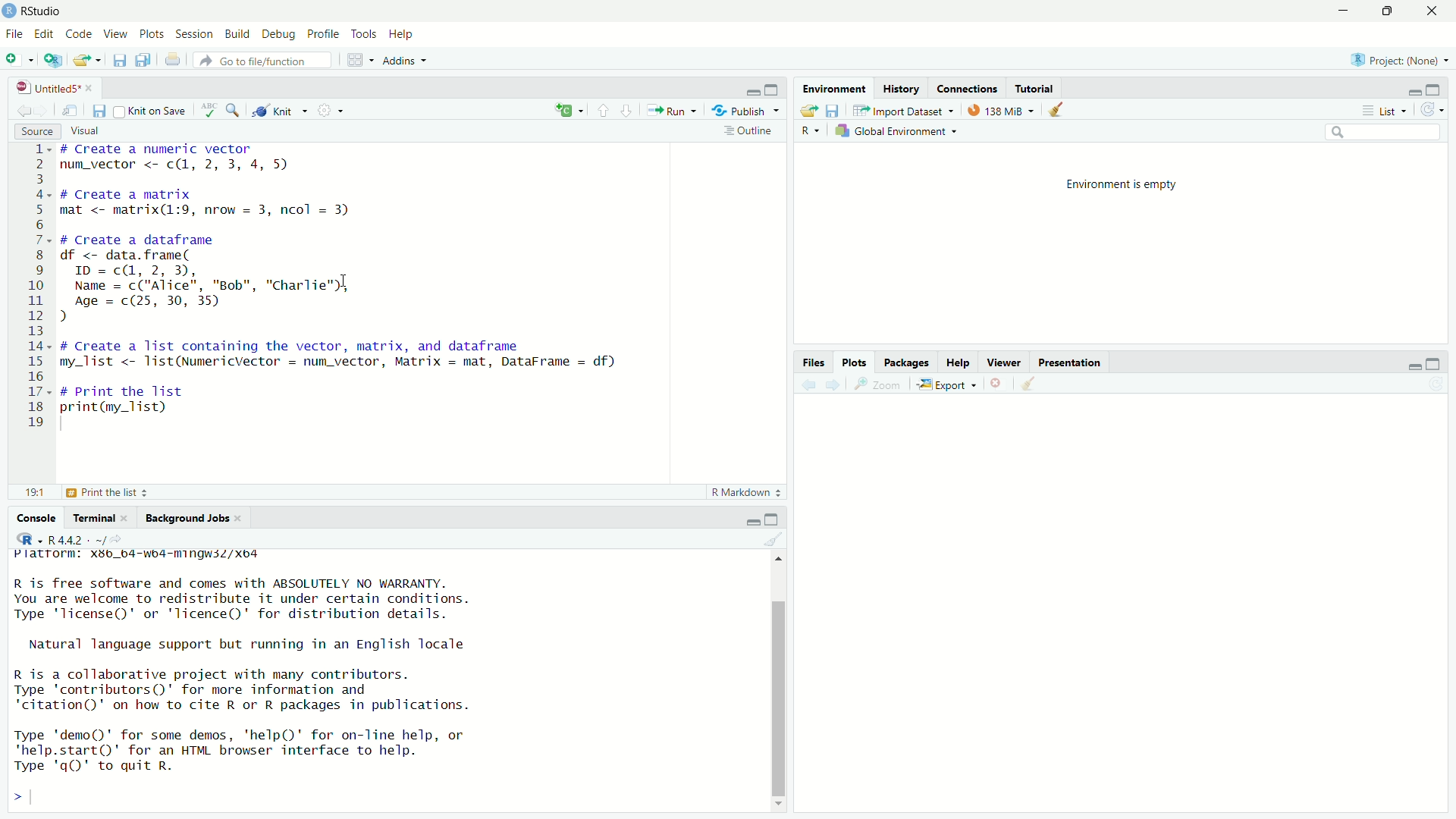 Image resolution: width=1456 pixels, height=819 pixels. Describe the element at coordinates (253, 60) in the screenshot. I see `Go to file/function` at that location.